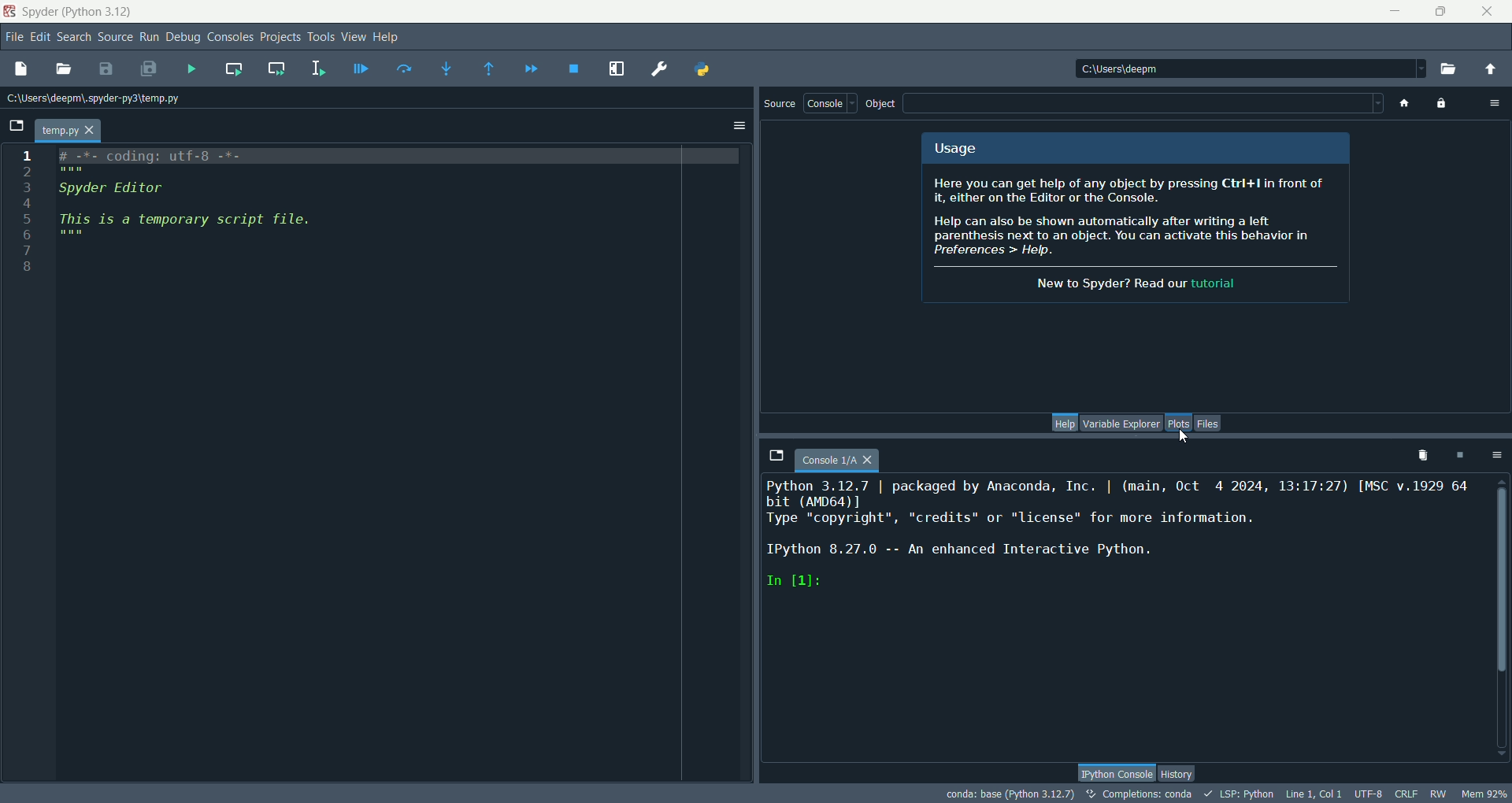 The height and width of the screenshot is (803, 1512). What do you see at coordinates (12, 10) in the screenshot?
I see `logo` at bounding box center [12, 10].